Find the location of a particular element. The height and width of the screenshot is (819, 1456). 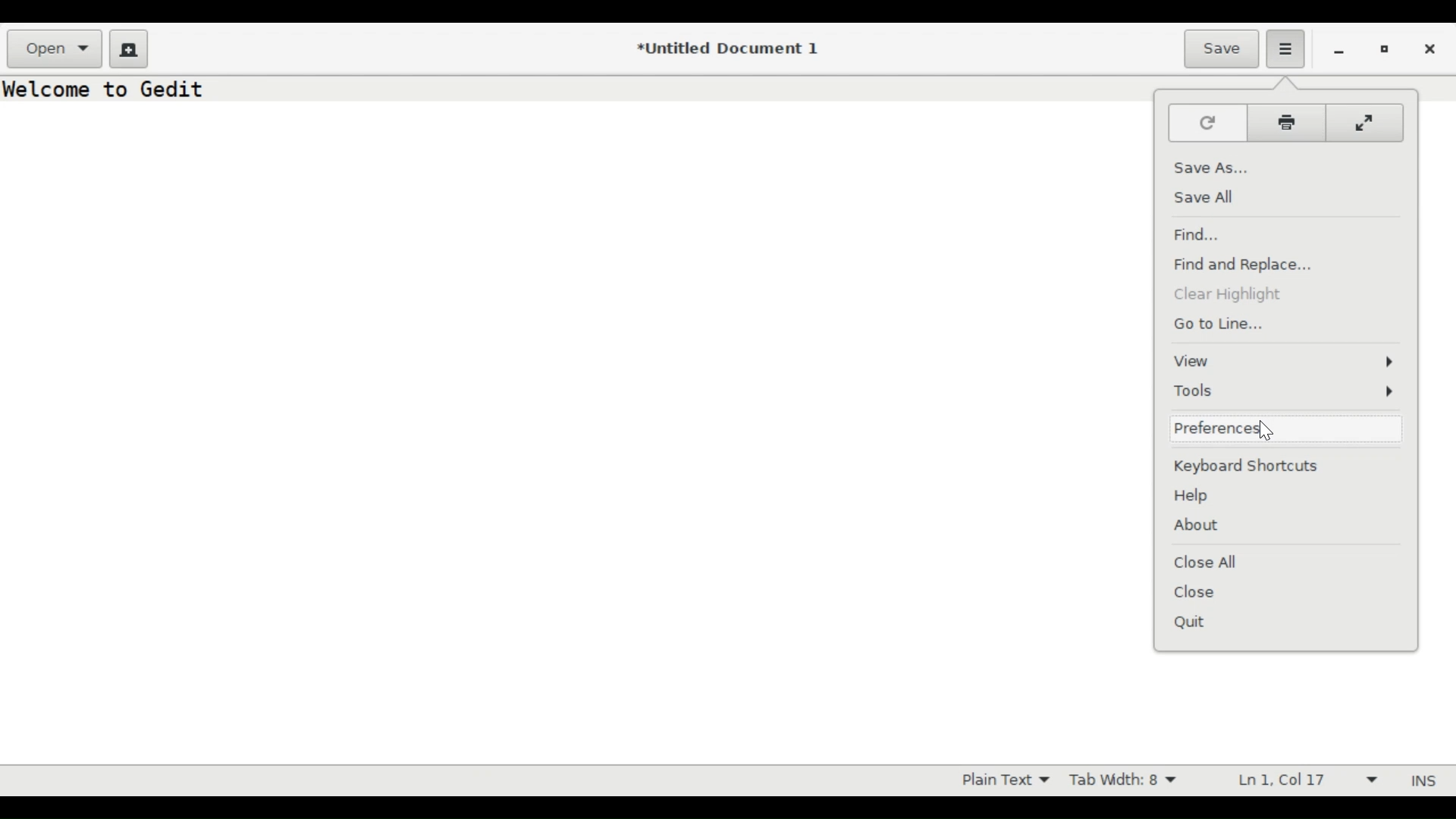

Close is located at coordinates (1431, 51).